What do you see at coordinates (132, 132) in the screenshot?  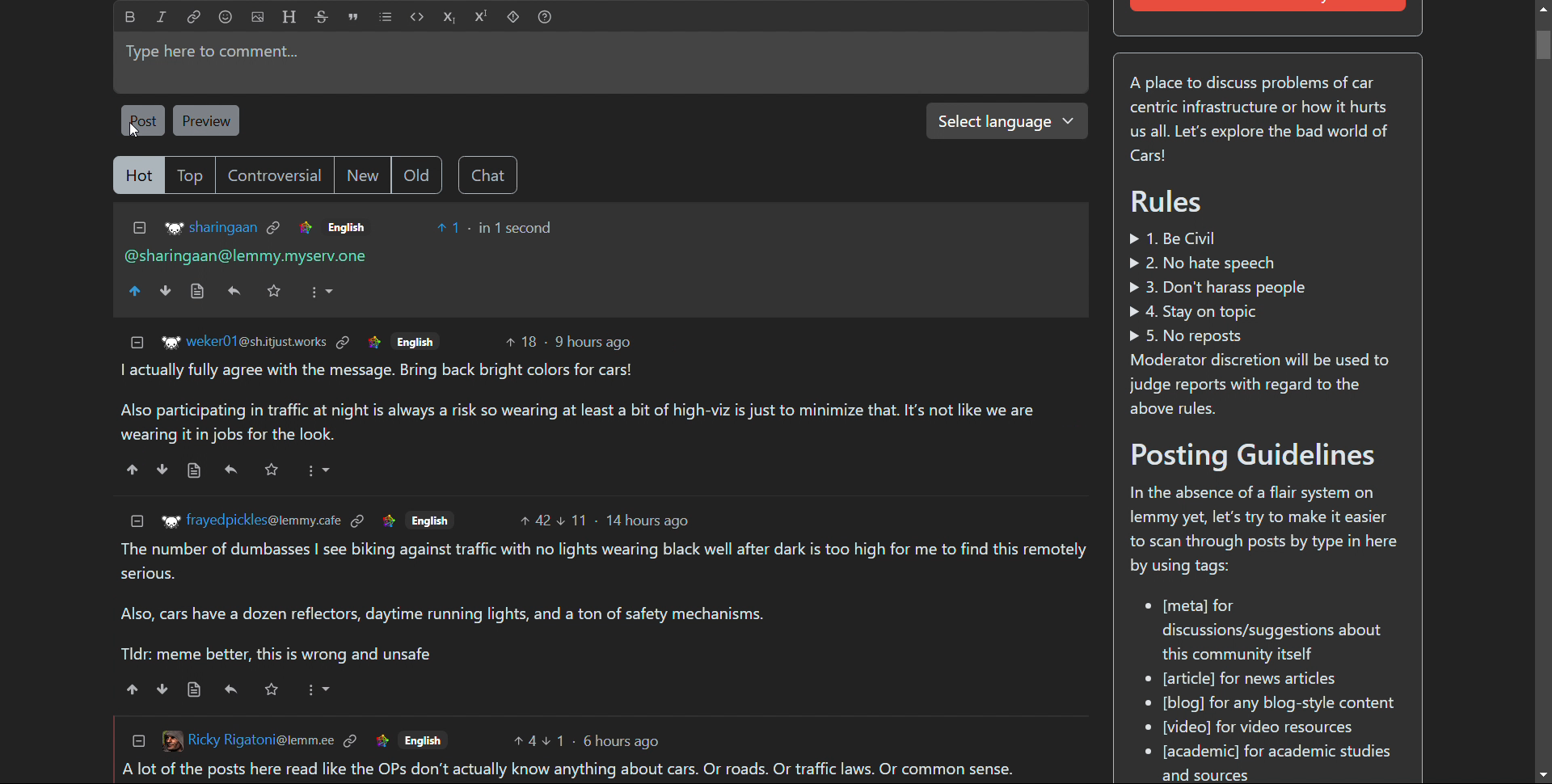 I see `Cursor` at bounding box center [132, 132].